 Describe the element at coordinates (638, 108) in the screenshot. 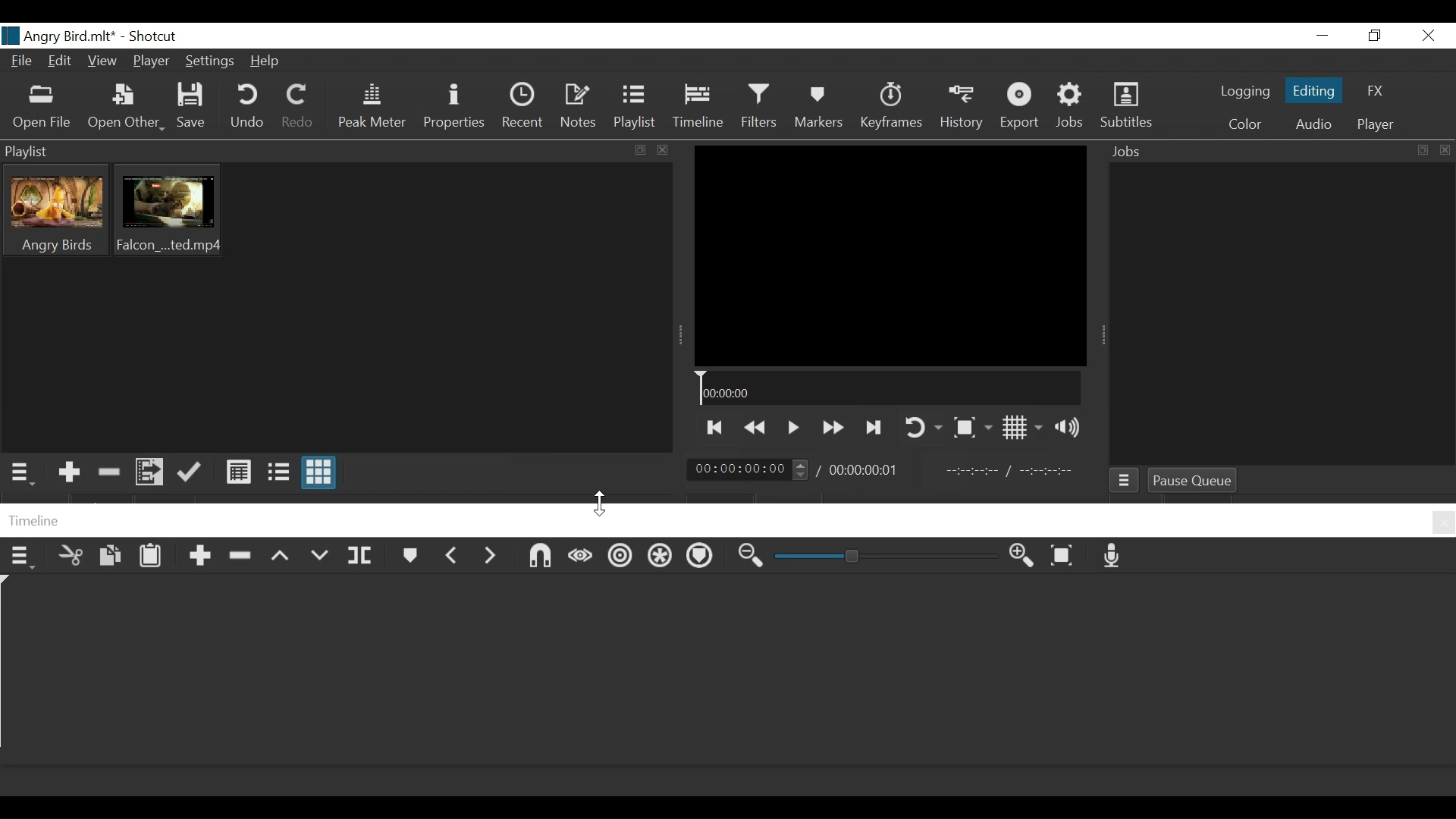

I see `Playlist` at that location.